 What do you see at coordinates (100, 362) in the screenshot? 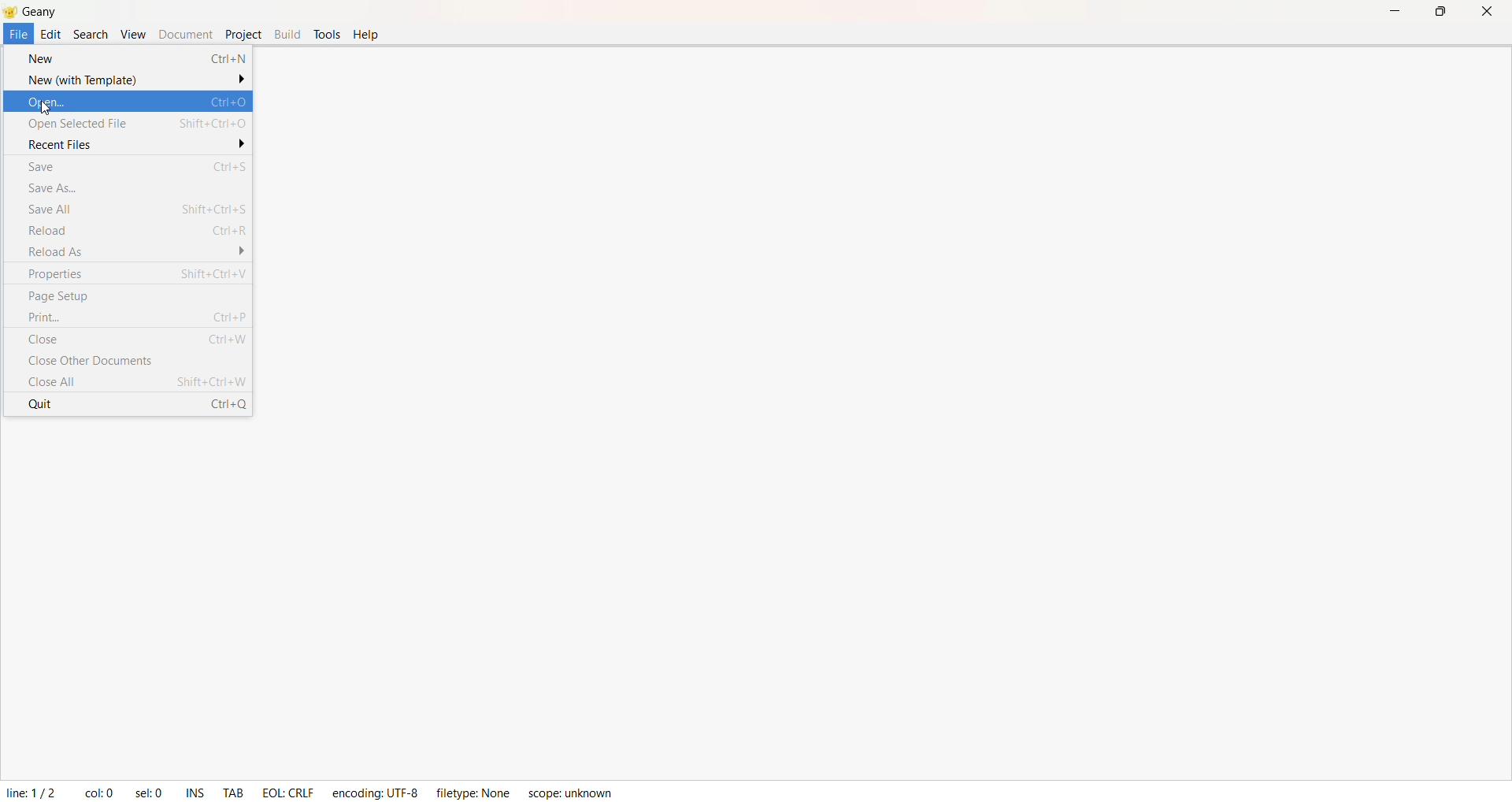
I see `Close Other Documents` at bounding box center [100, 362].